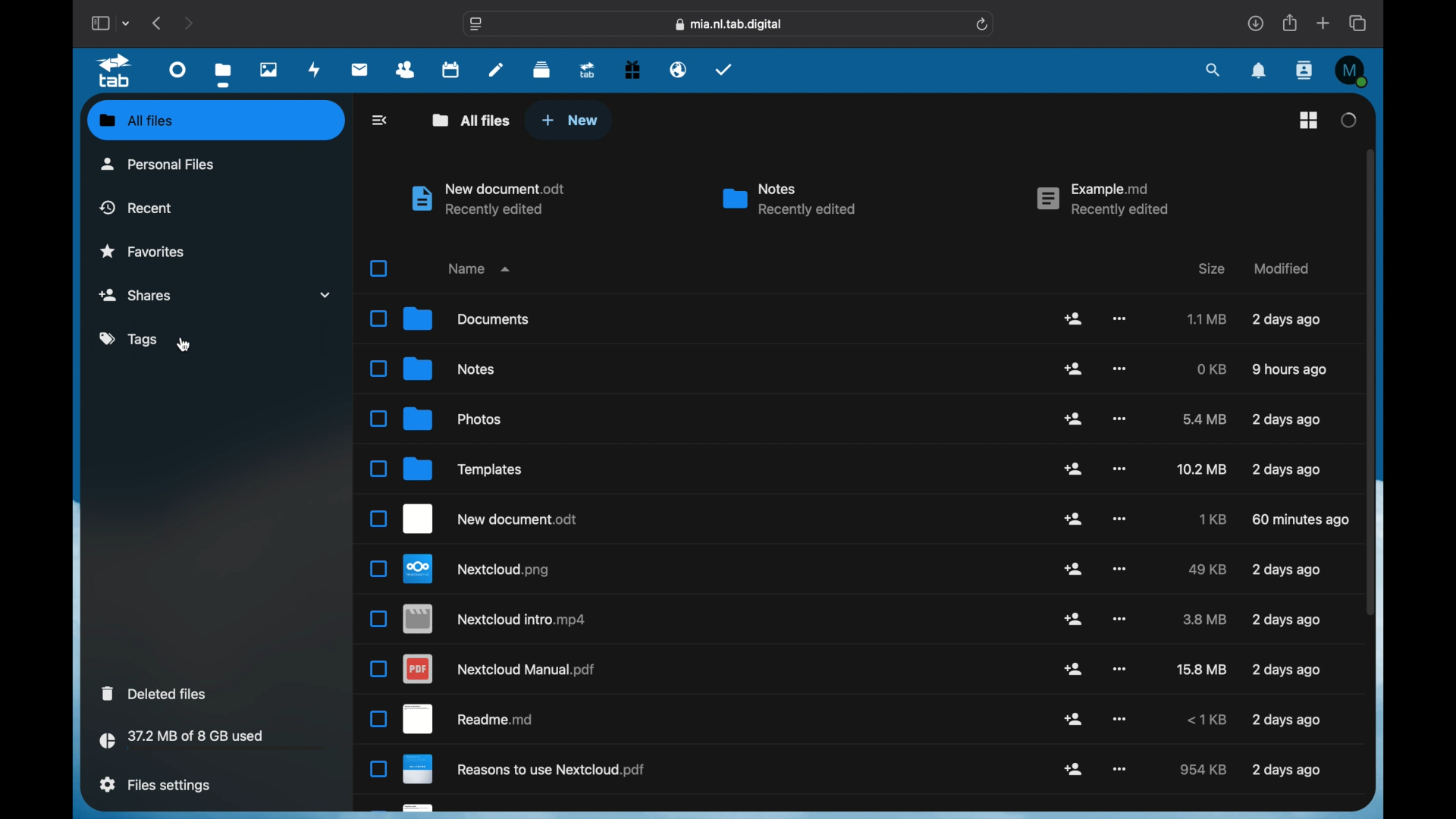 This screenshot has width=1456, height=819. Describe the element at coordinates (479, 570) in the screenshot. I see `nextcloud` at that location.